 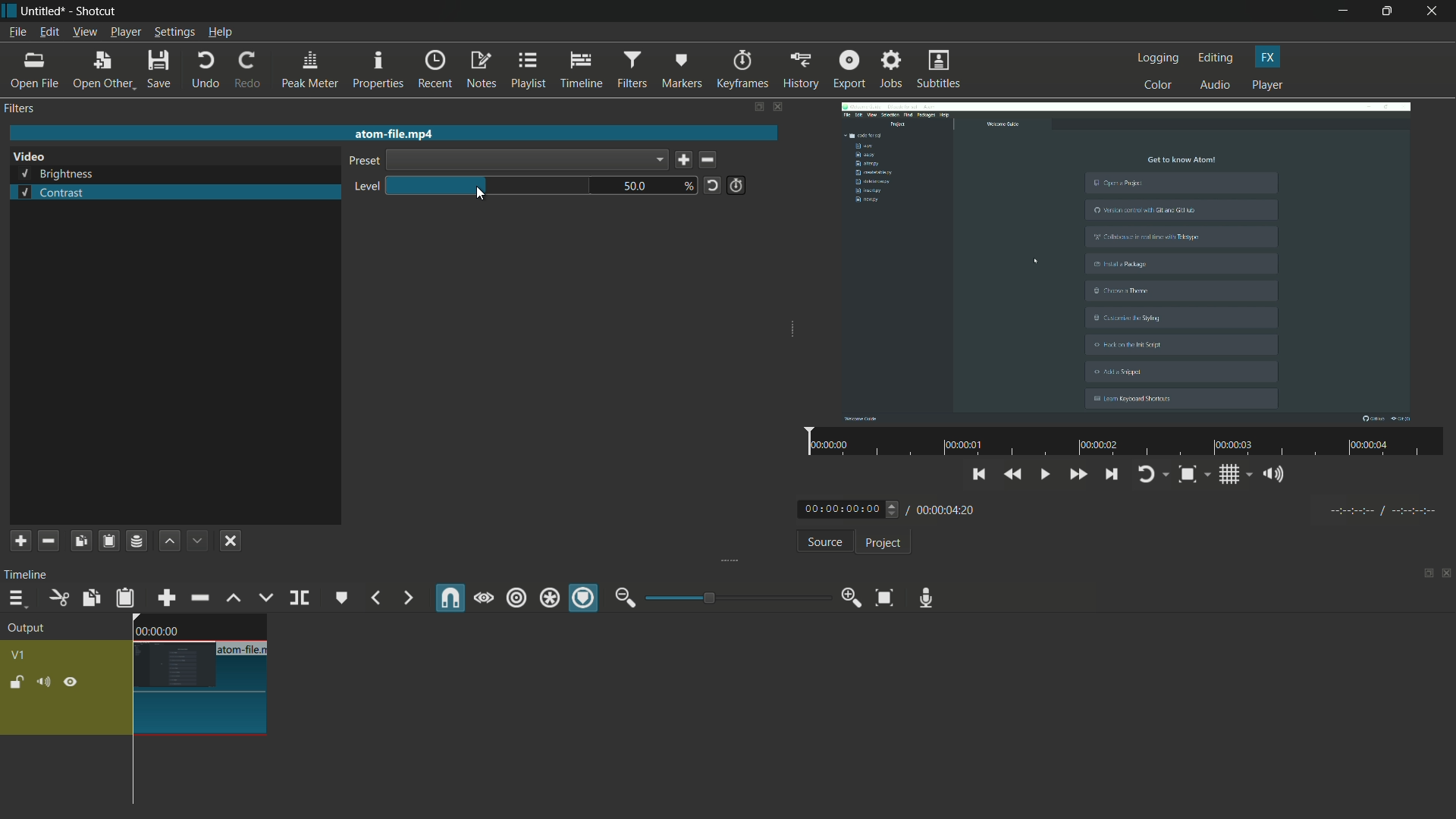 I want to click on remove selected filter, so click(x=49, y=541).